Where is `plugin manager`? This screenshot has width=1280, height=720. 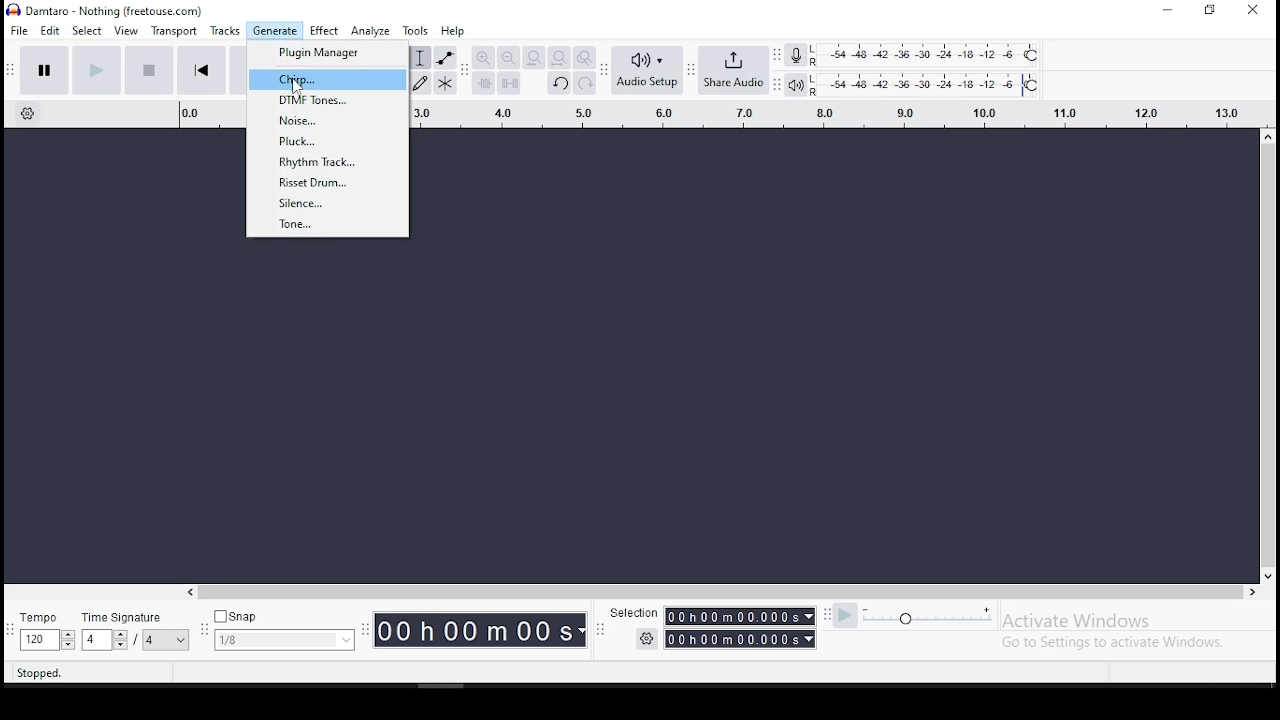 plugin manager is located at coordinates (329, 54).